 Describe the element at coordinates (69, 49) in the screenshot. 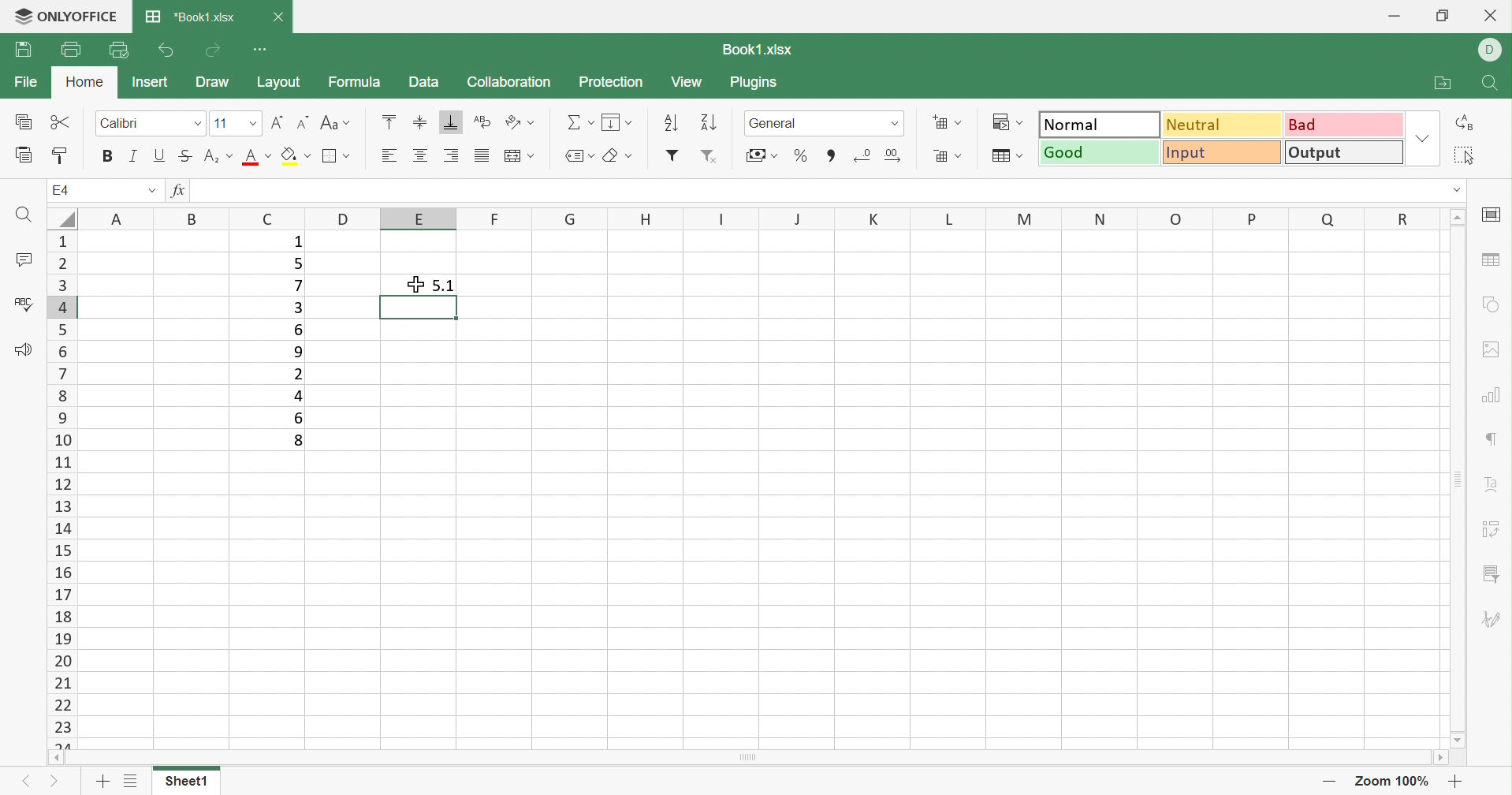

I see `Print` at that location.